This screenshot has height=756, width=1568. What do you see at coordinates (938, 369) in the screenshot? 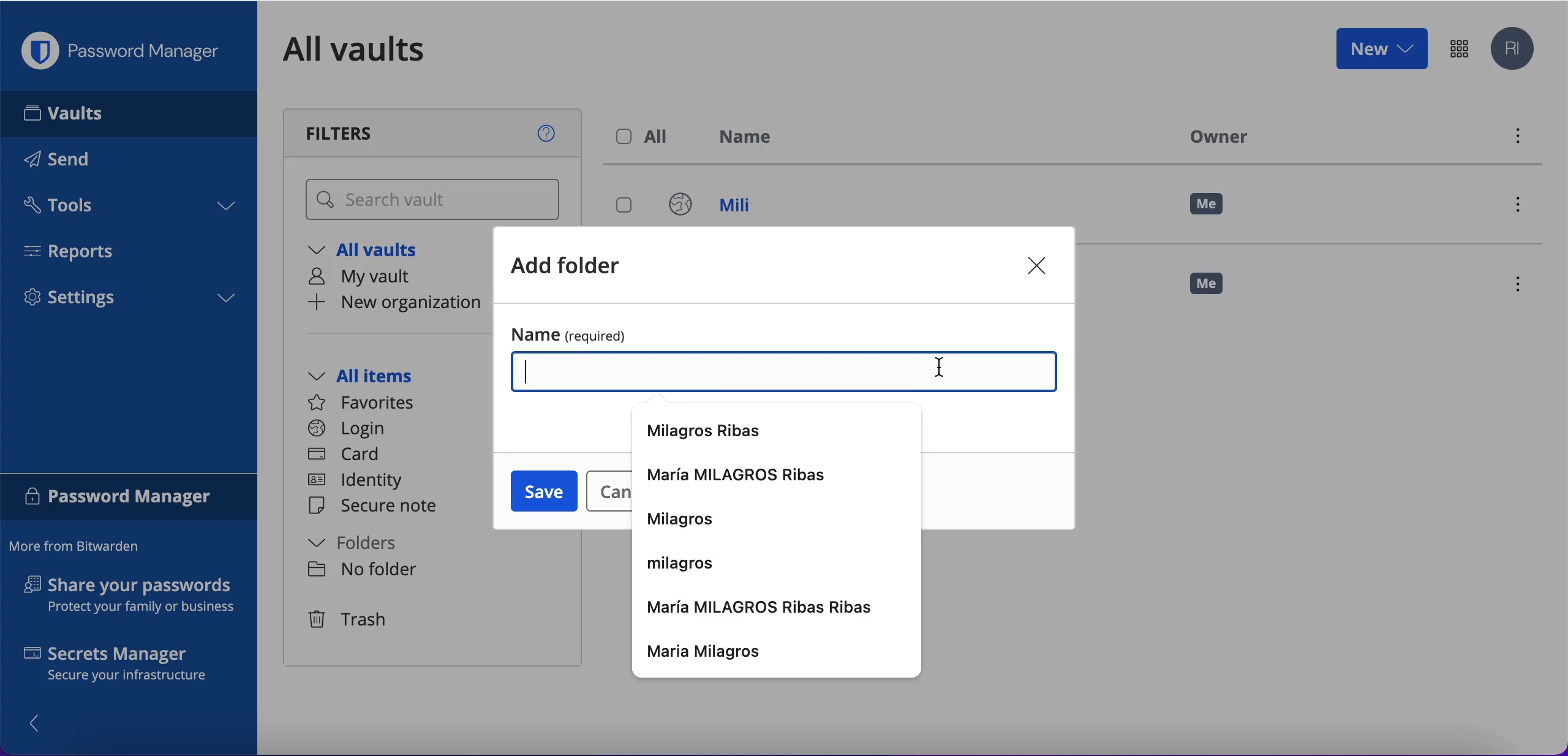
I see `cursor` at bounding box center [938, 369].